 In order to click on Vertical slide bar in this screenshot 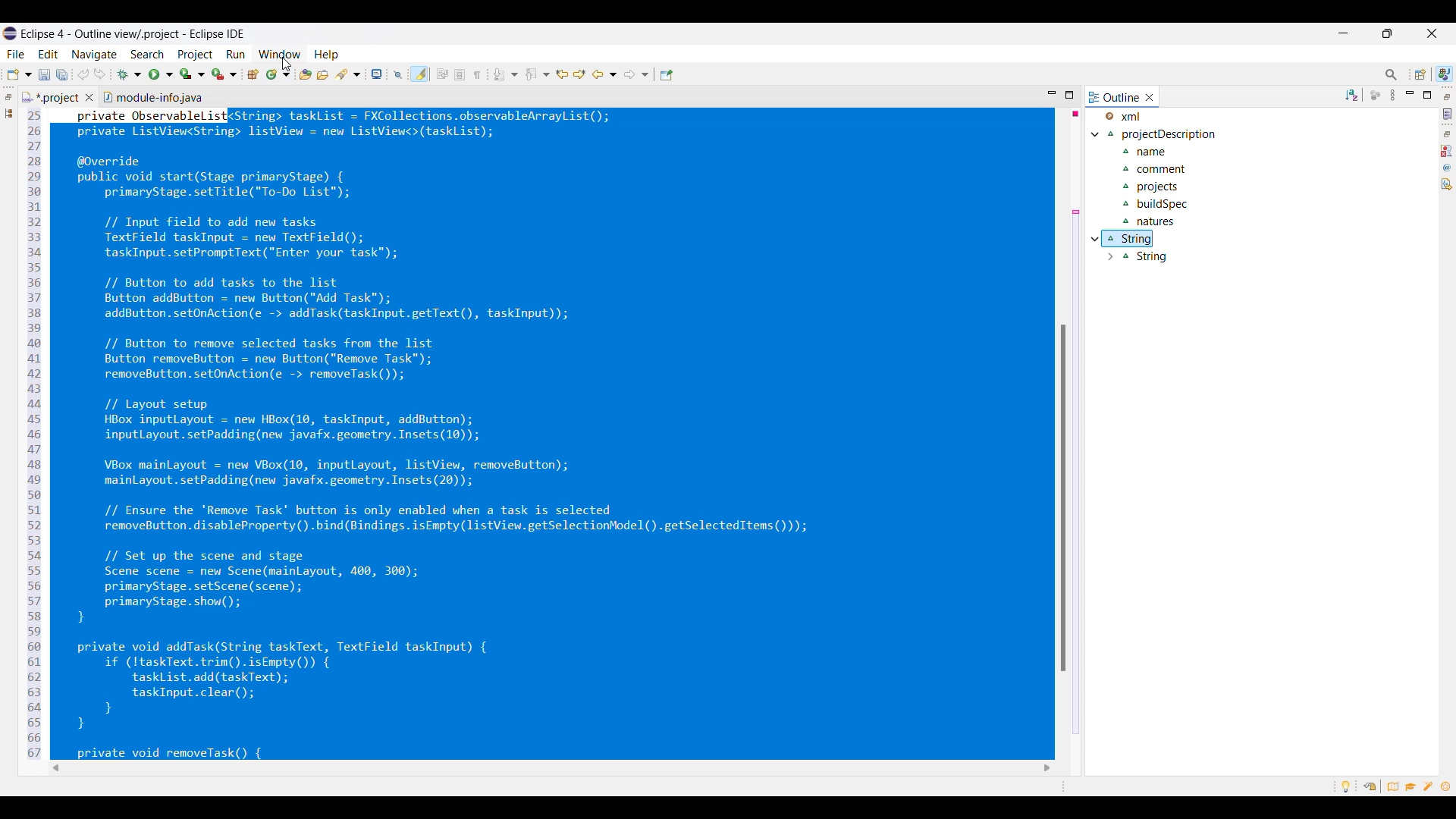, I will do `click(1063, 497)`.